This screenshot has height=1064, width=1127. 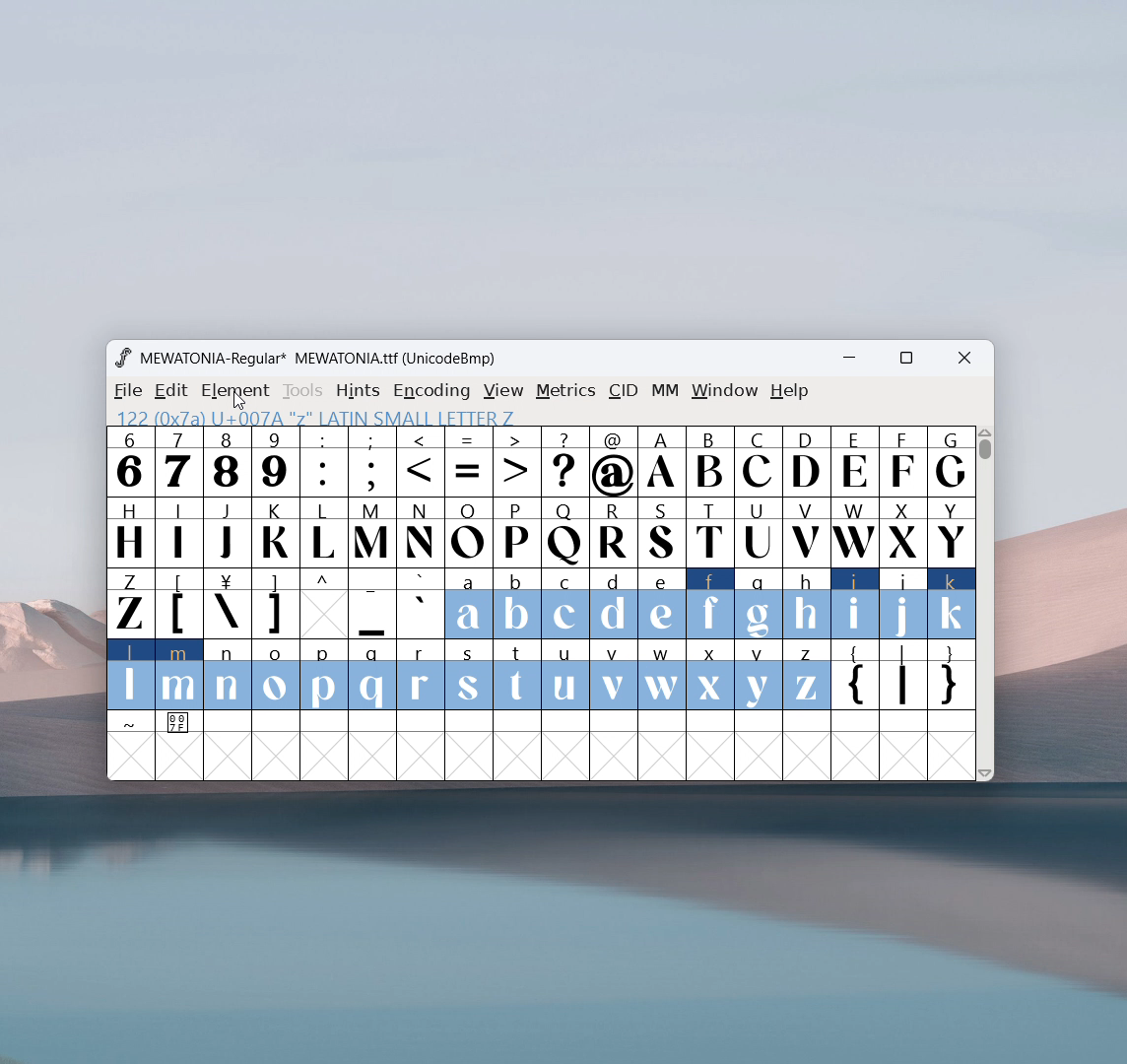 I want to click on encoding, so click(x=431, y=389).